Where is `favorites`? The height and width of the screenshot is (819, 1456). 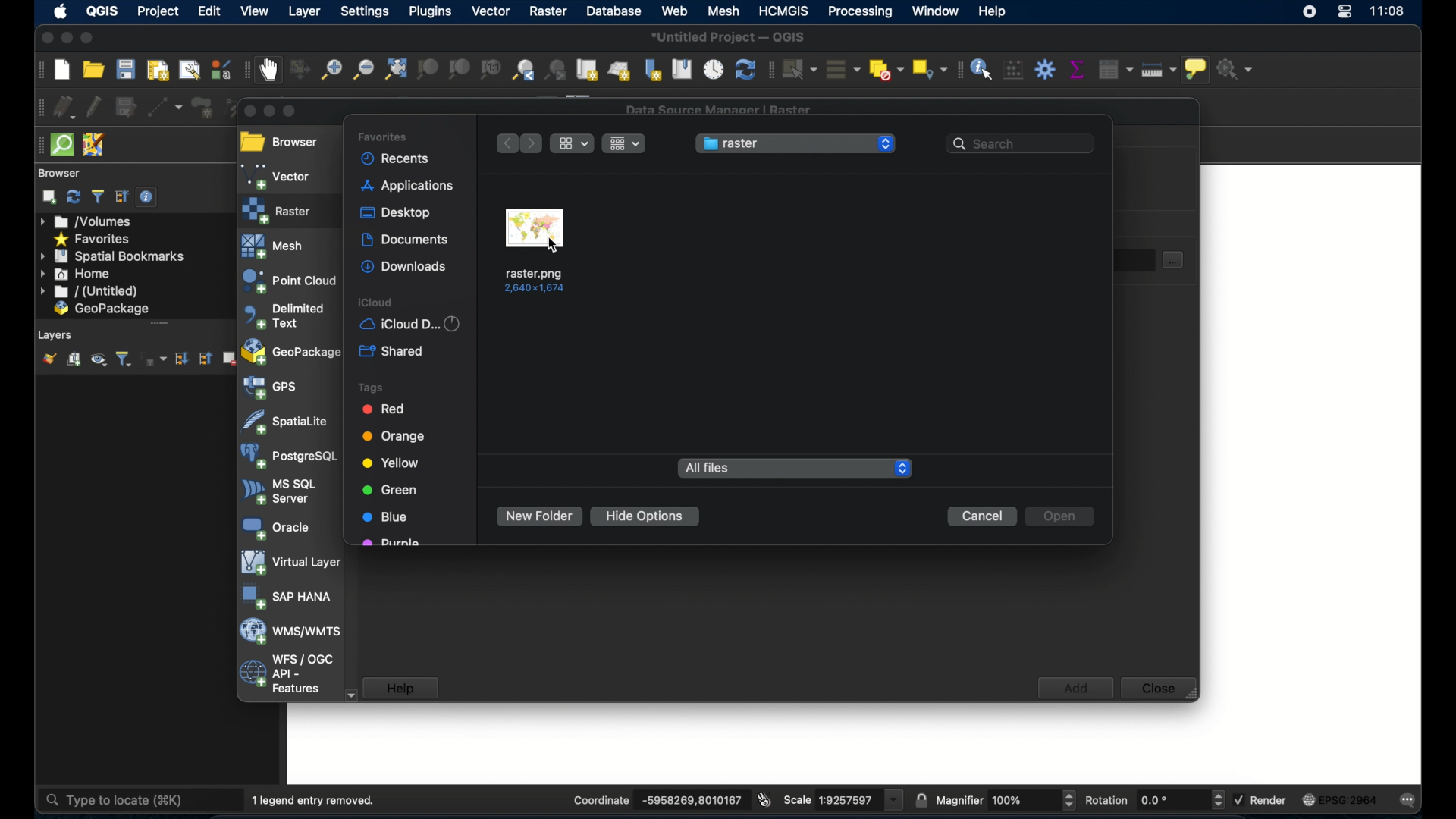
favorites is located at coordinates (94, 238).